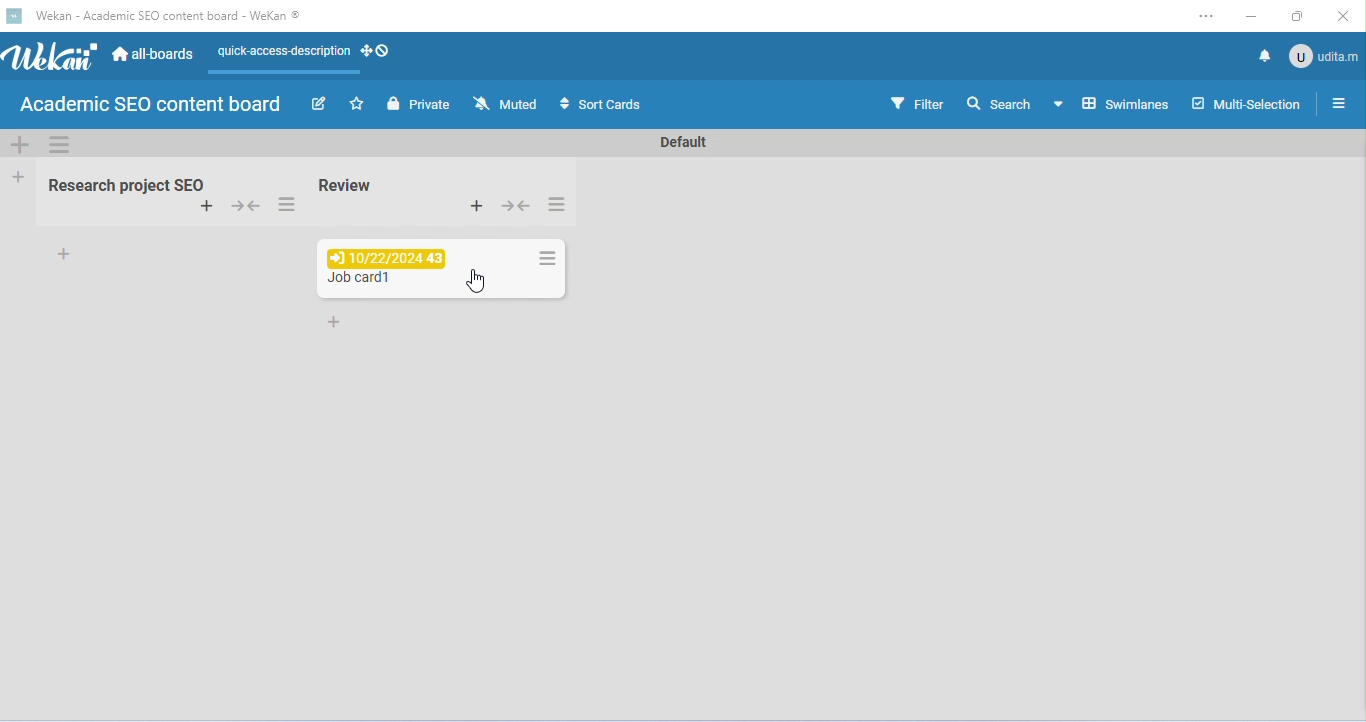 The width and height of the screenshot is (1366, 722). I want to click on settings and more, so click(1205, 17).